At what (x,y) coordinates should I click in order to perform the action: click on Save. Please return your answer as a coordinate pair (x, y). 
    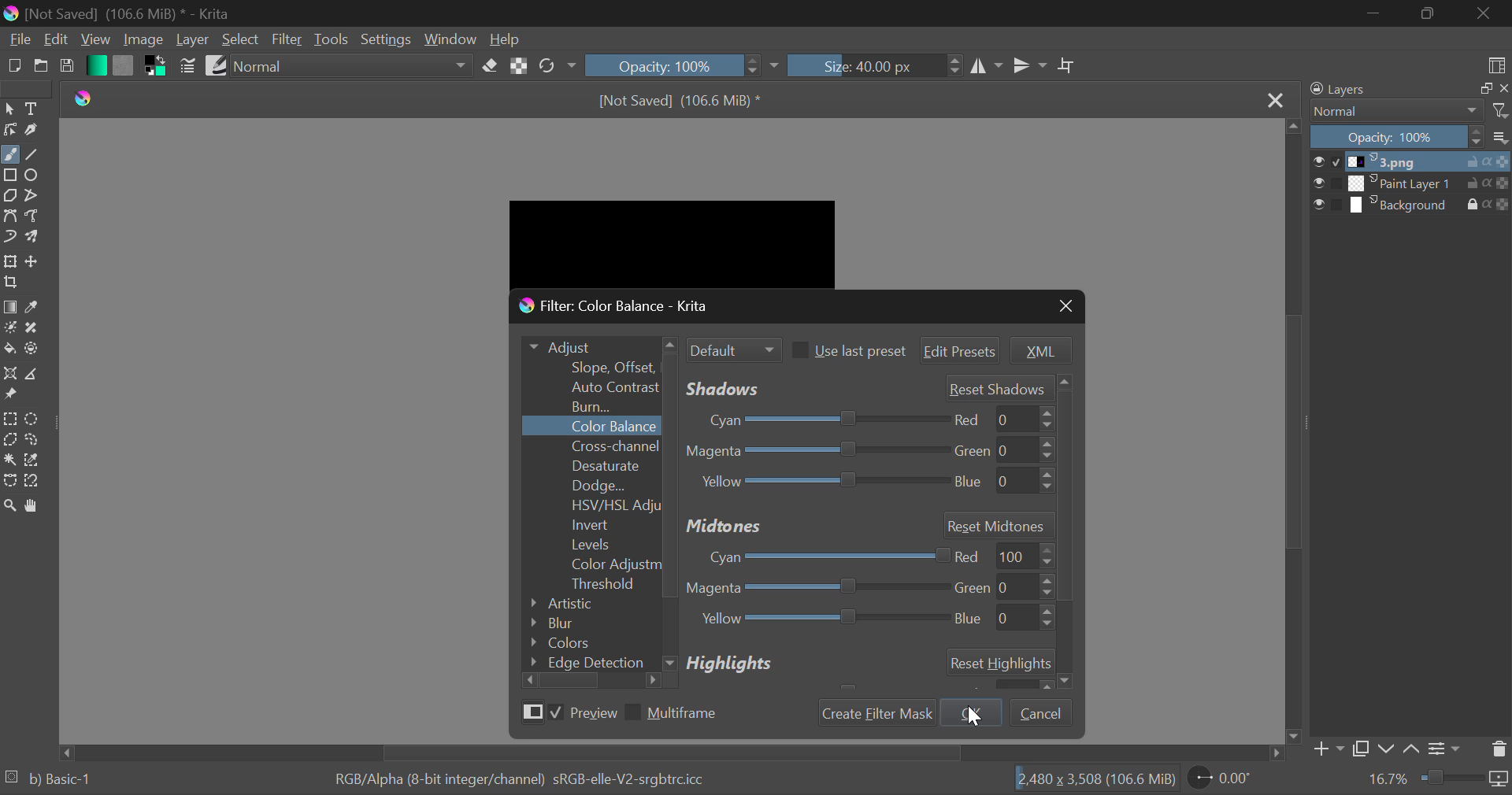
    Looking at the image, I should click on (70, 66).